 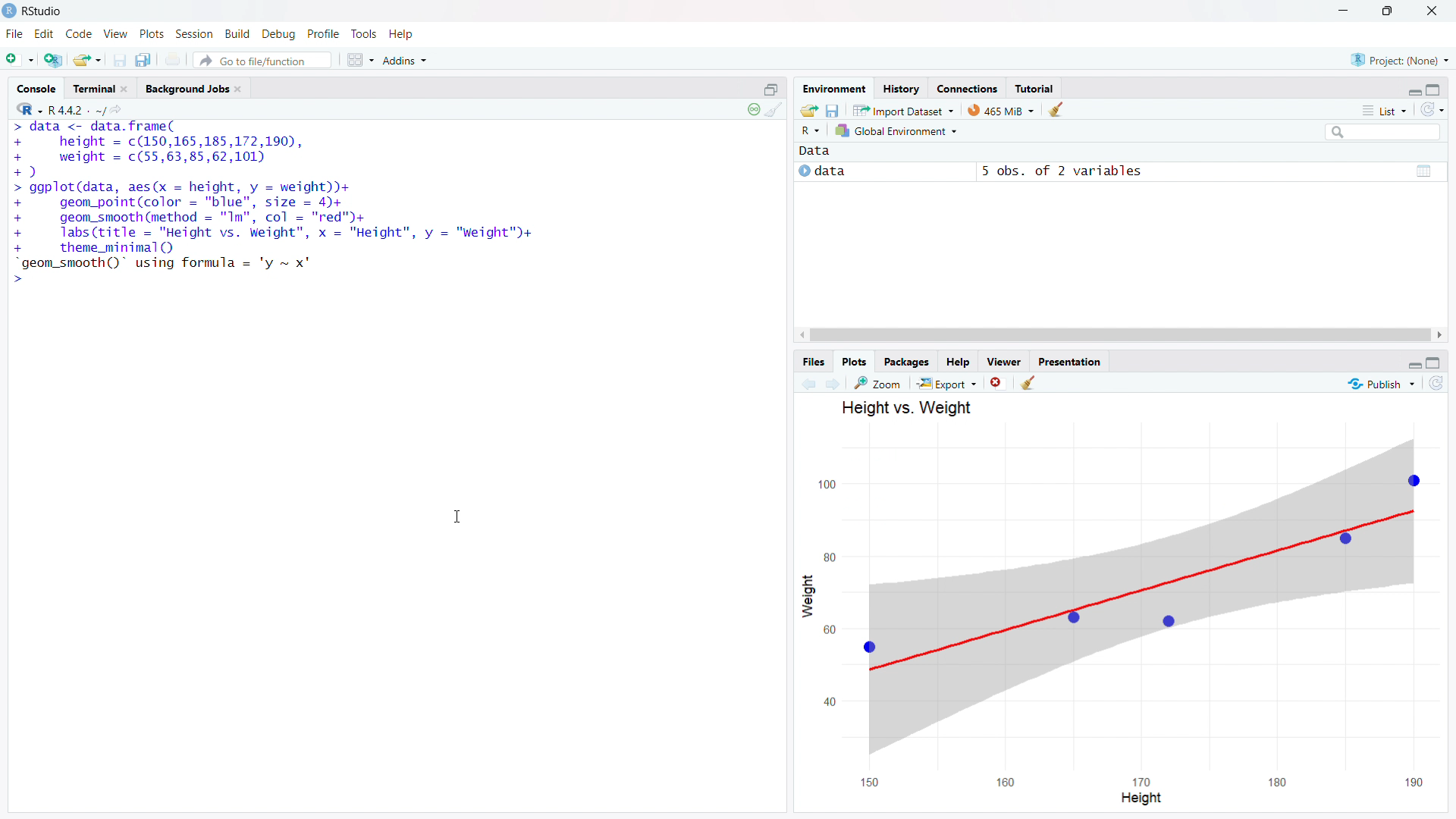 I want to click on scroll right, so click(x=1441, y=335).